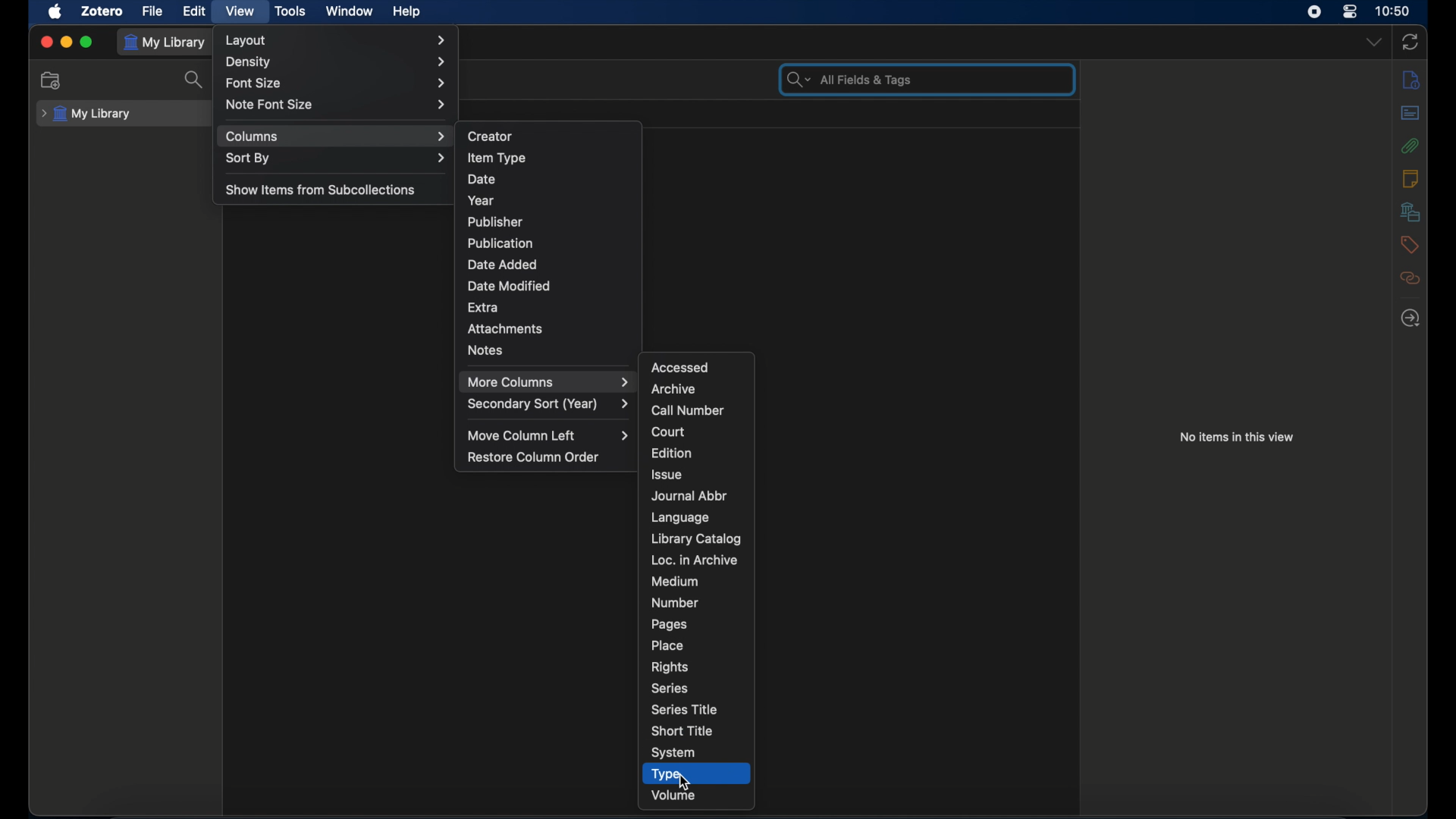 Image resolution: width=1456 pixels, height=819 pixels. I want to click on attachments, so click(506, 329).